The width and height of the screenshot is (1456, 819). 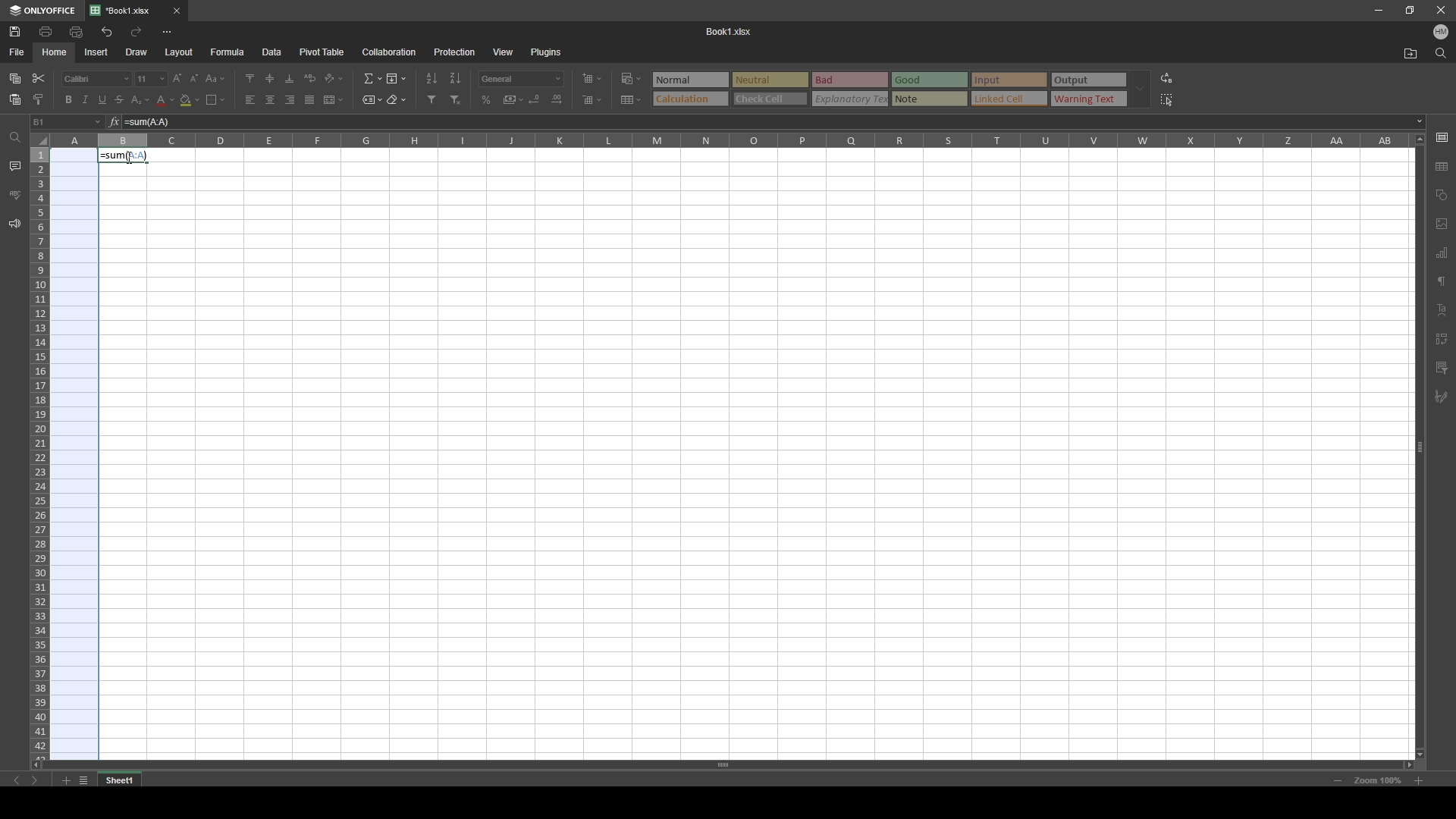 What do you see at coordinates (97, 52) in the screenshot?
I see `insert` at bounding box center [97, 52].